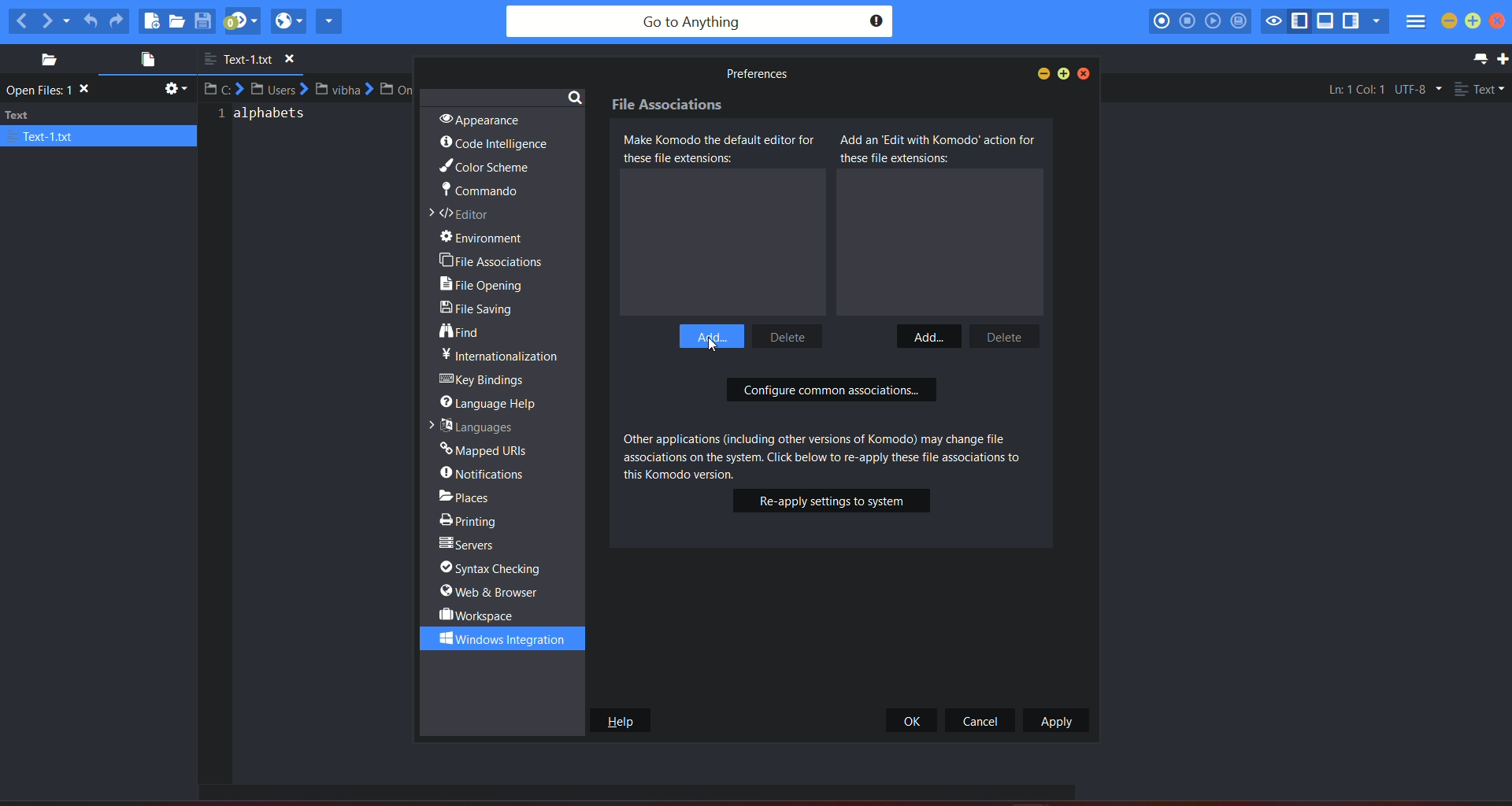 The height and width of the screenshot is (806, 1512). I want to click on minimize, so click(1449, 21).